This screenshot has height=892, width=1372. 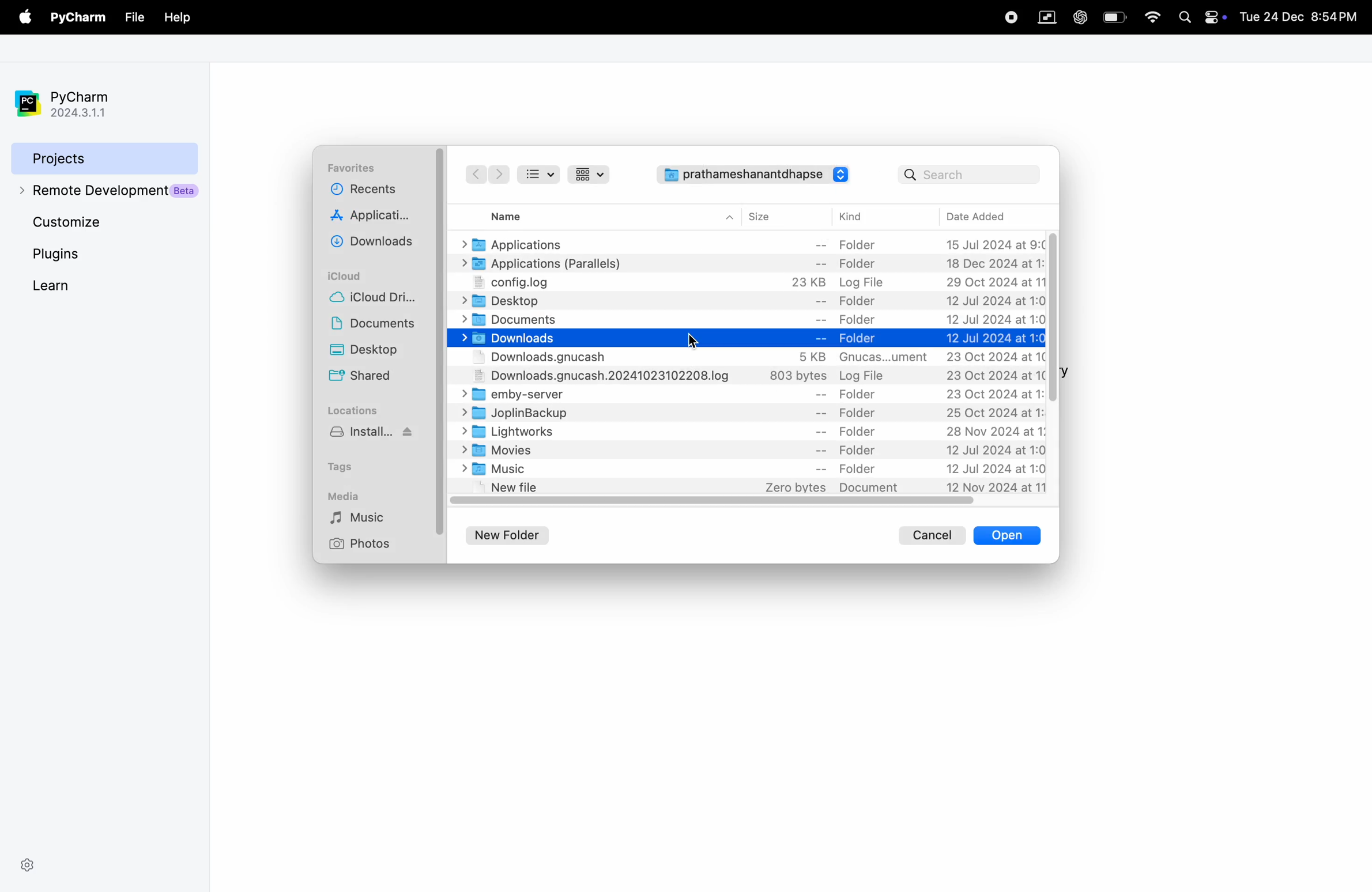 I want to click on battery, so click(x=1114, y=16).